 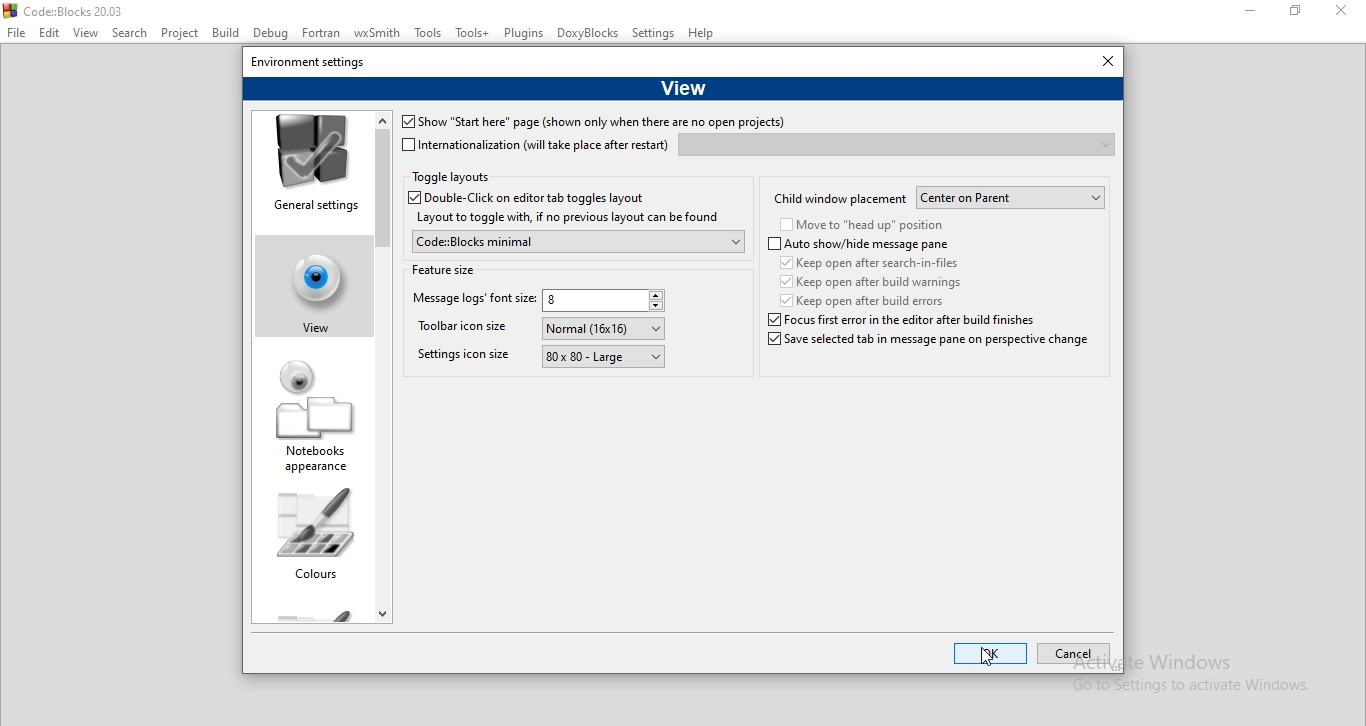 What do you see at coordinates (1103, 62) in the screenshot?
I see `close` at bounding box center [1103, 62].